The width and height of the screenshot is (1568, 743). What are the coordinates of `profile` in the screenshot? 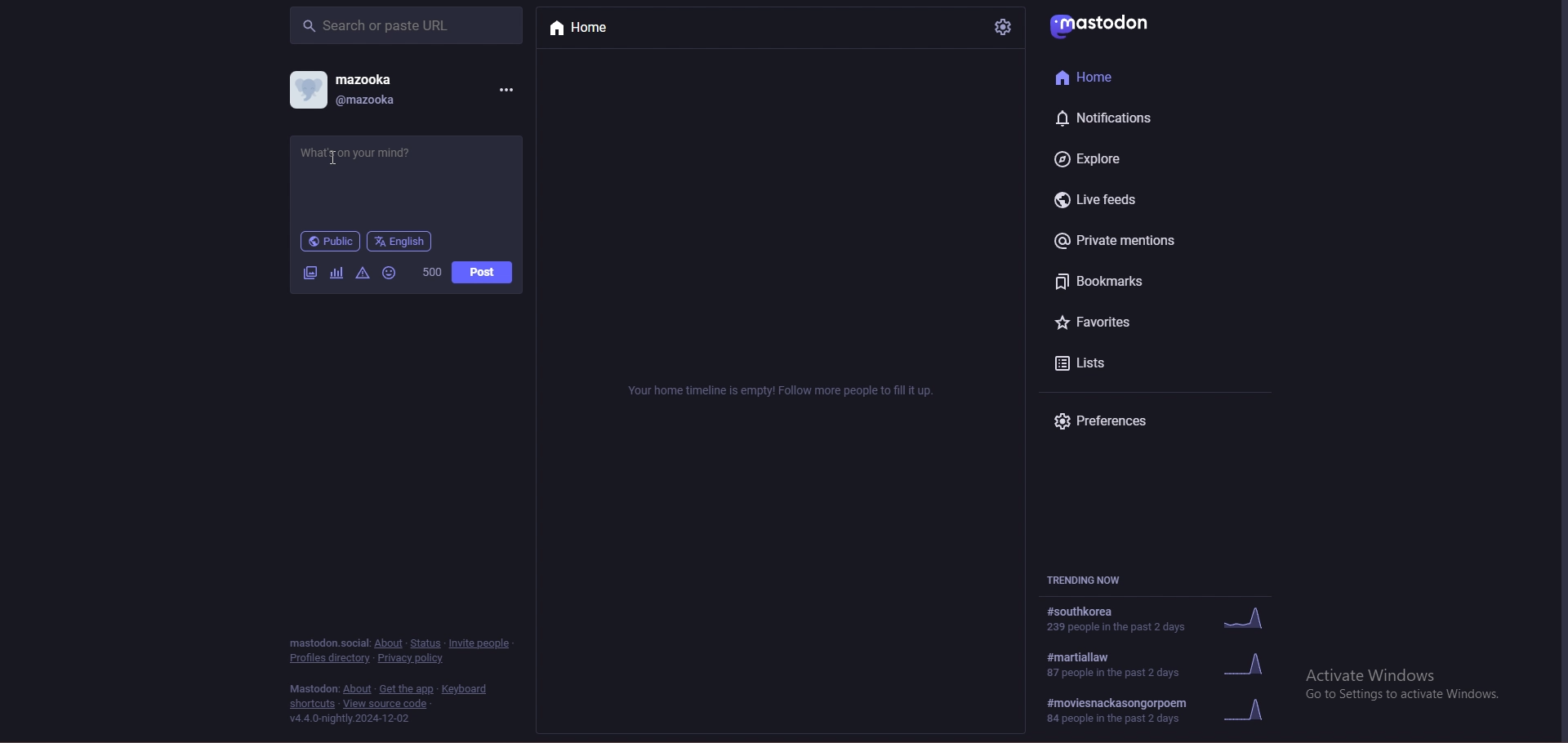 It's located at (309, 89).